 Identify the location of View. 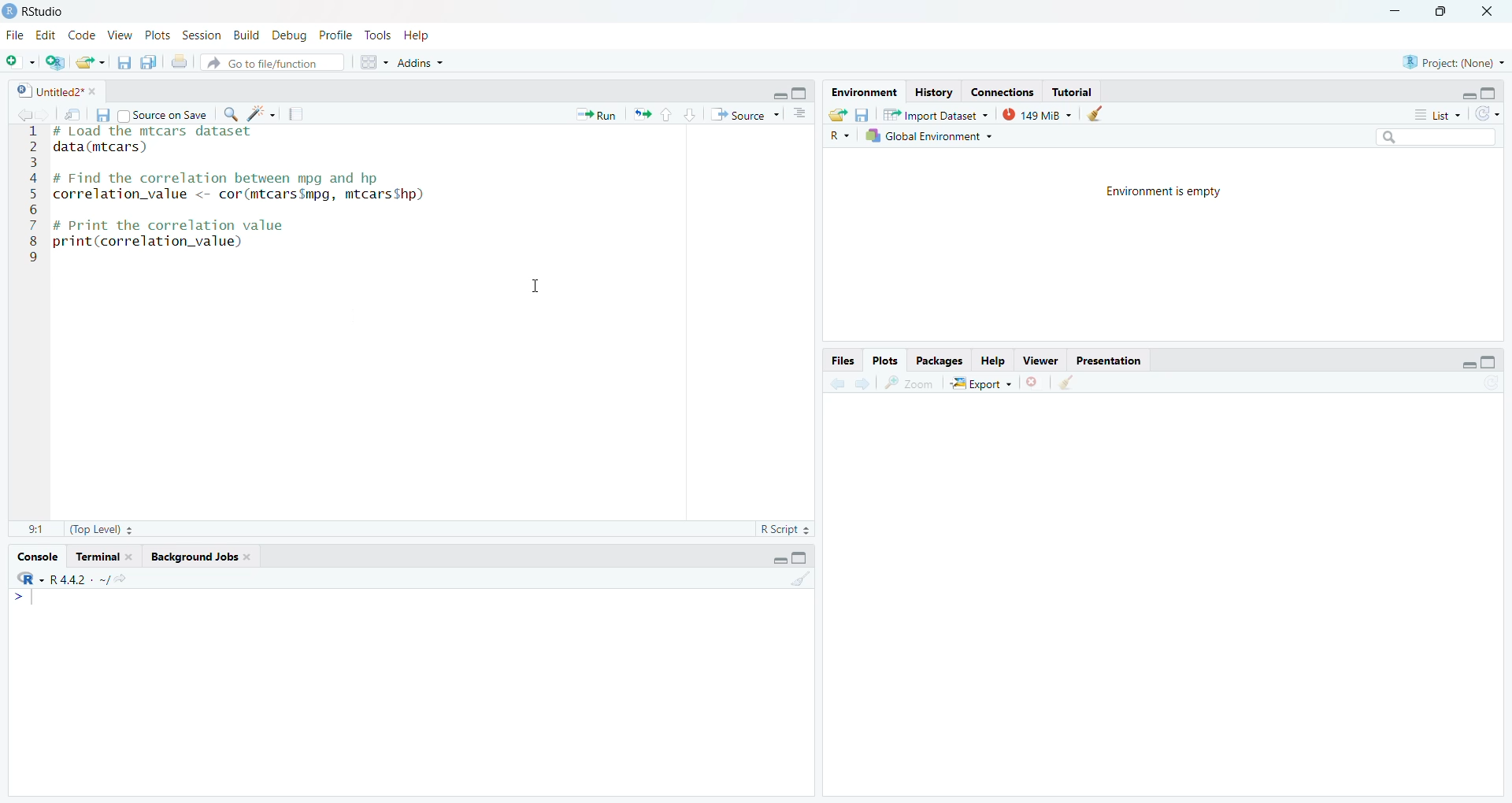
(119, 36).